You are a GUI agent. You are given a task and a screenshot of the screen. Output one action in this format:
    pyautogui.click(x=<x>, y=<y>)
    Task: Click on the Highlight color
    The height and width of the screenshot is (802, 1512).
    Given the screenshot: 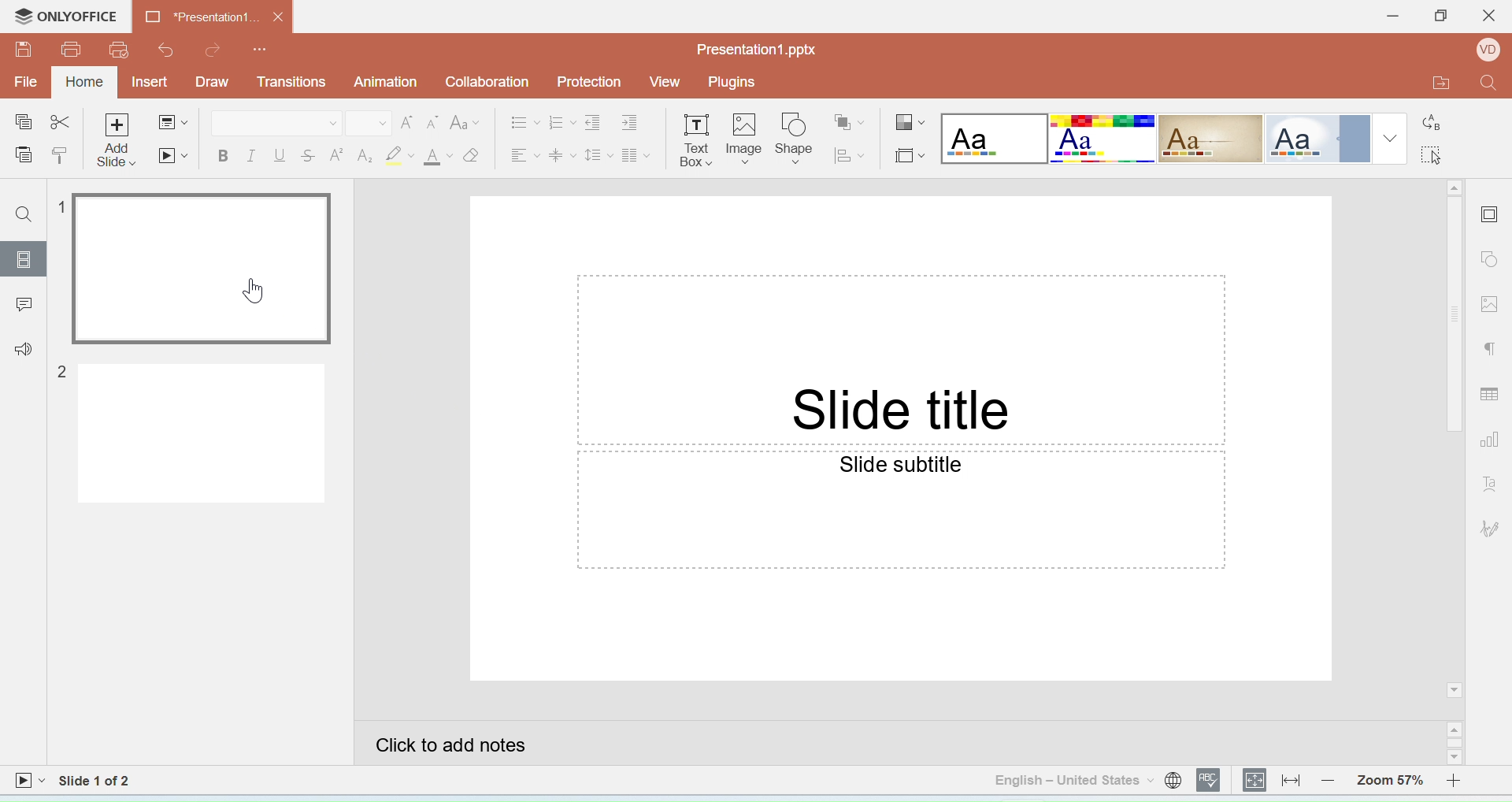 What is the action you would take?
    pyautogui.click(x=402, y=156)
    